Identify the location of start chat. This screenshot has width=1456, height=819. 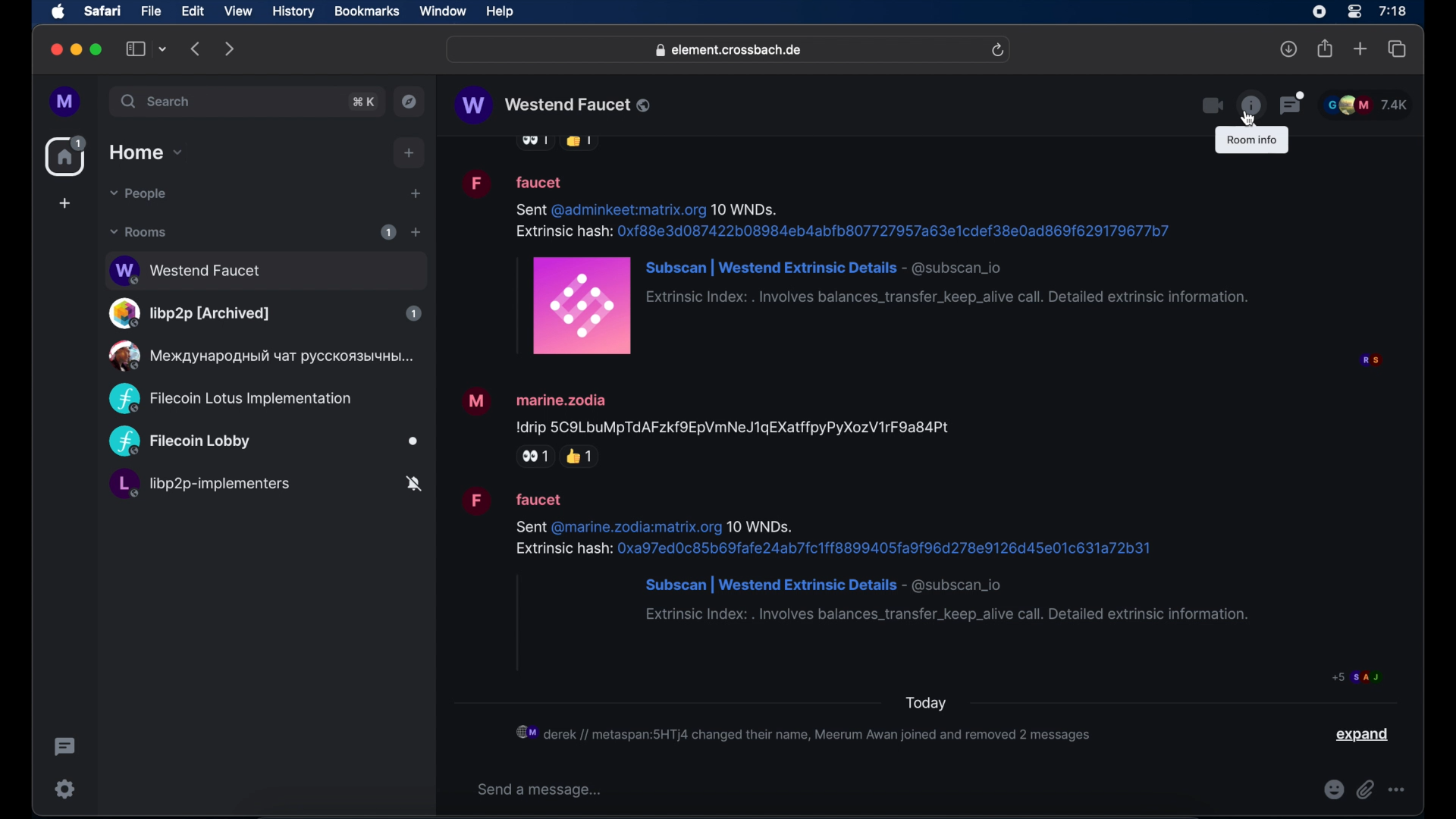
(415, 194).